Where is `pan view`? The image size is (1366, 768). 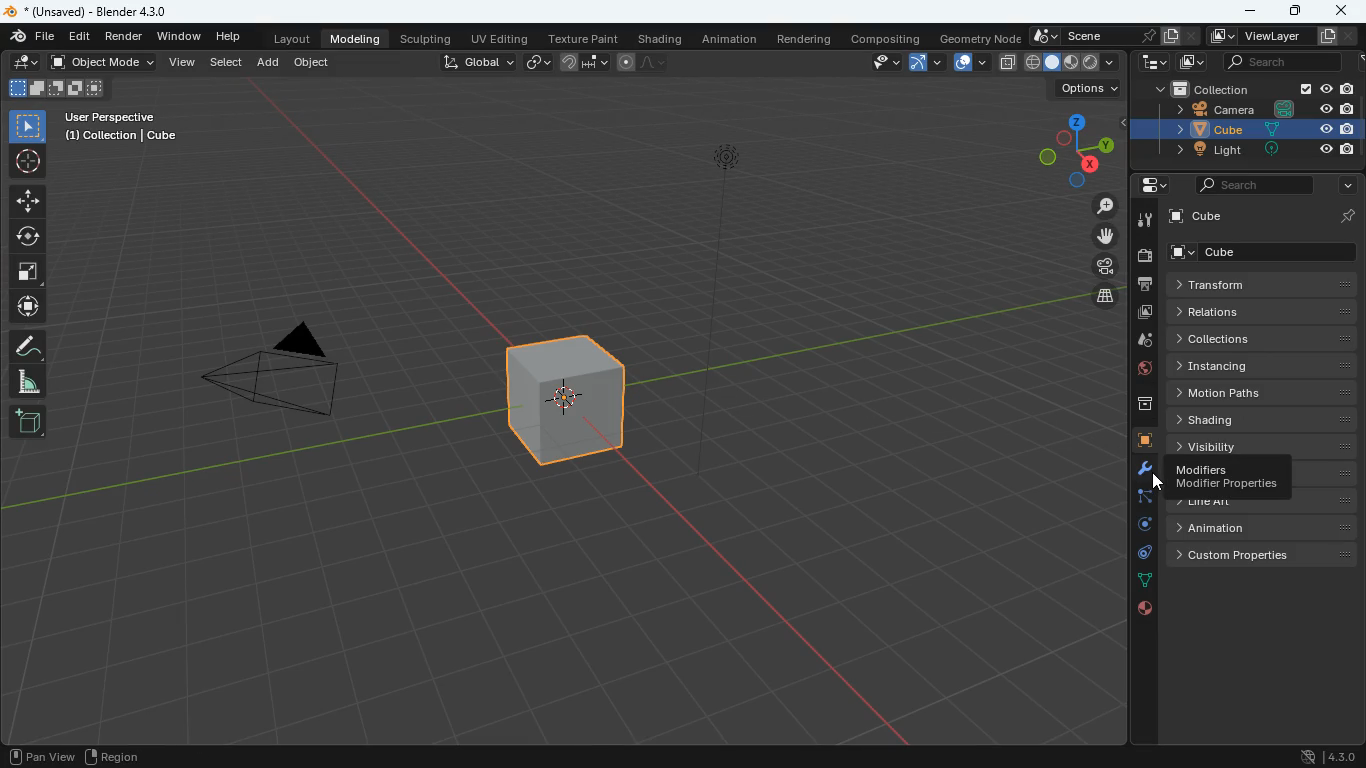
pan view is located at coordinates (39, 755).